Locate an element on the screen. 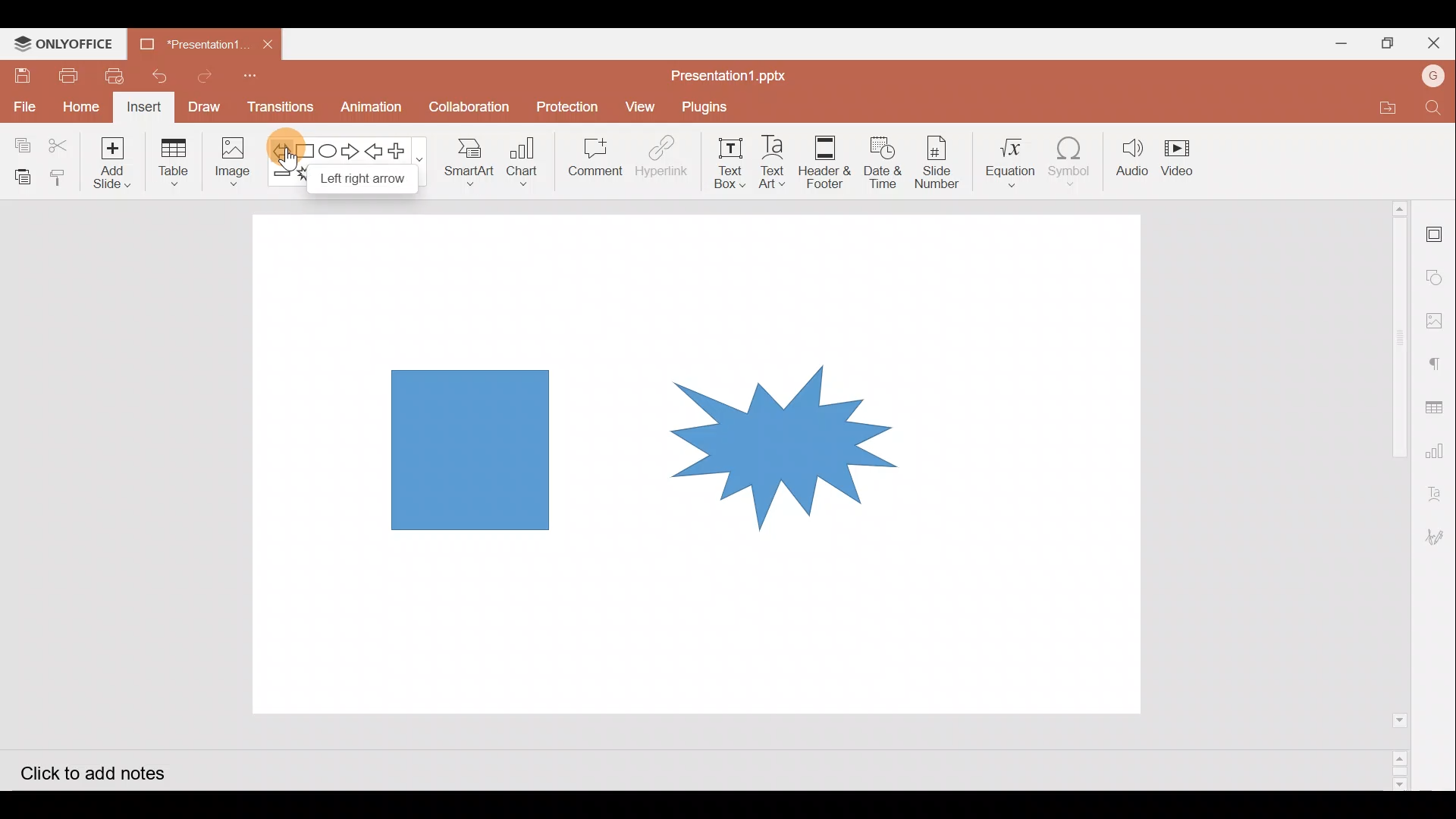 The width and height of the screenshot is (1456, 819). File is located at coordinates (24, 104).